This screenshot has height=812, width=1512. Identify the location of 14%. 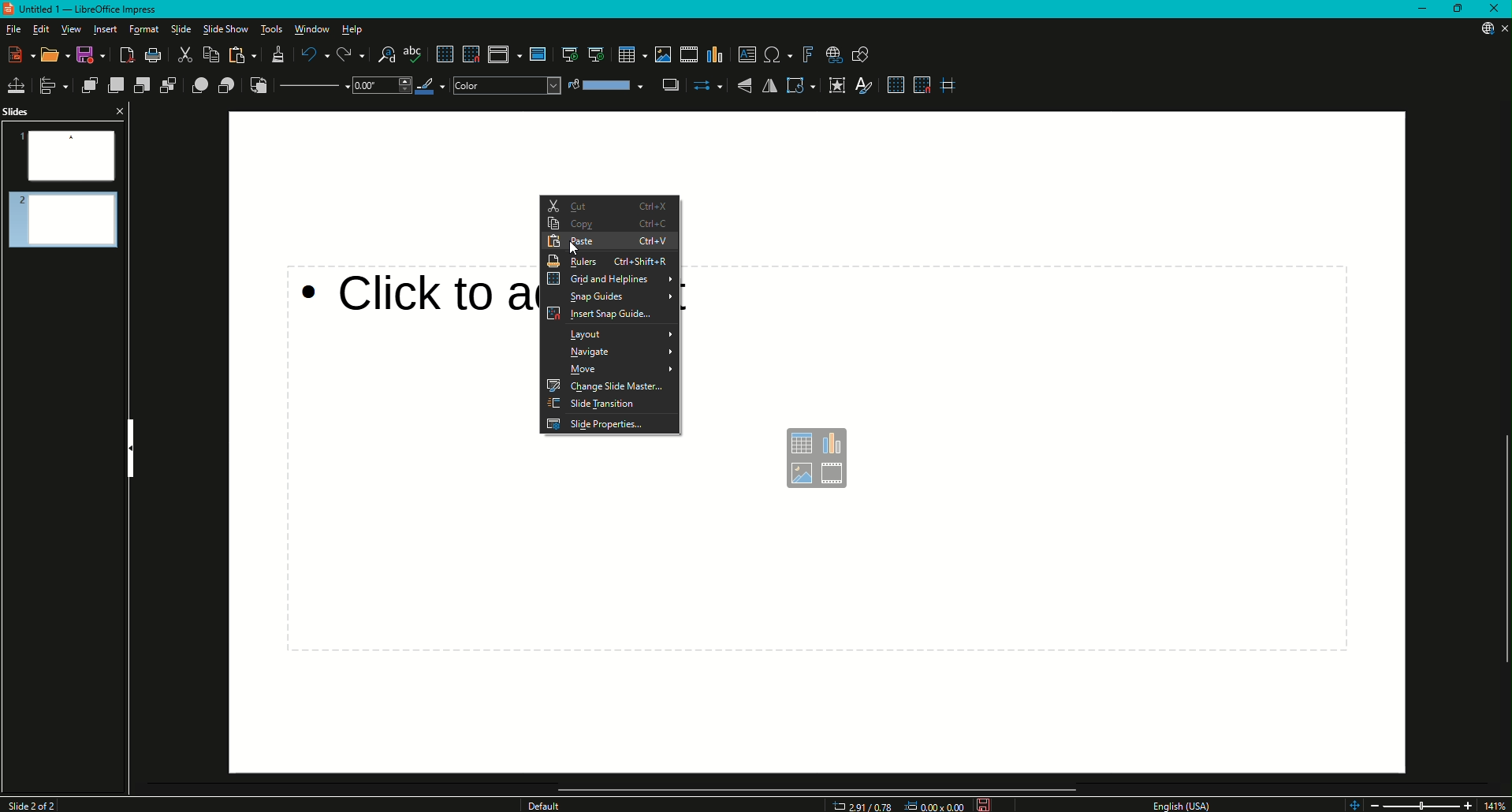
(1497, 804).